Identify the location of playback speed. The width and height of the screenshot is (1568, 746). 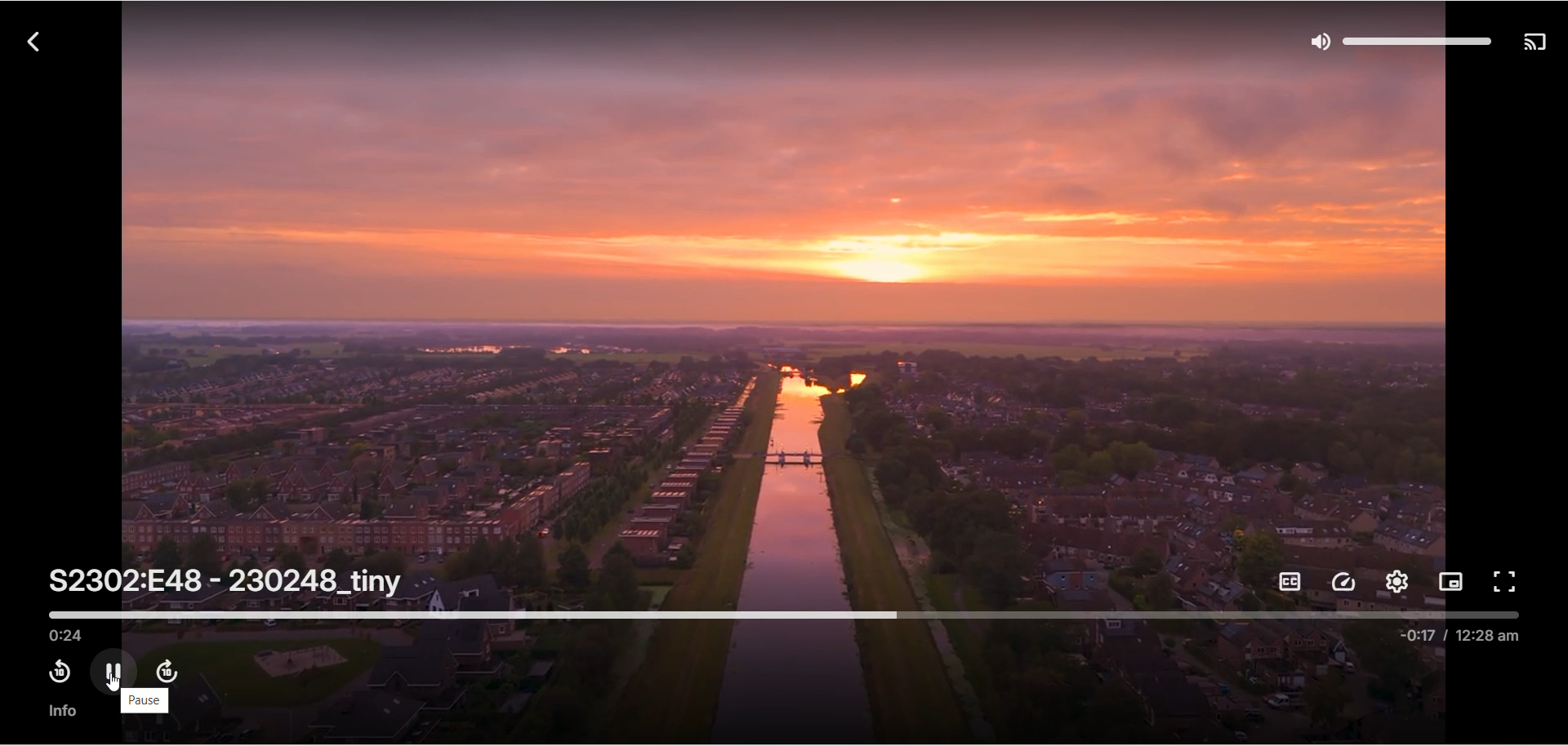
(1347, 582).